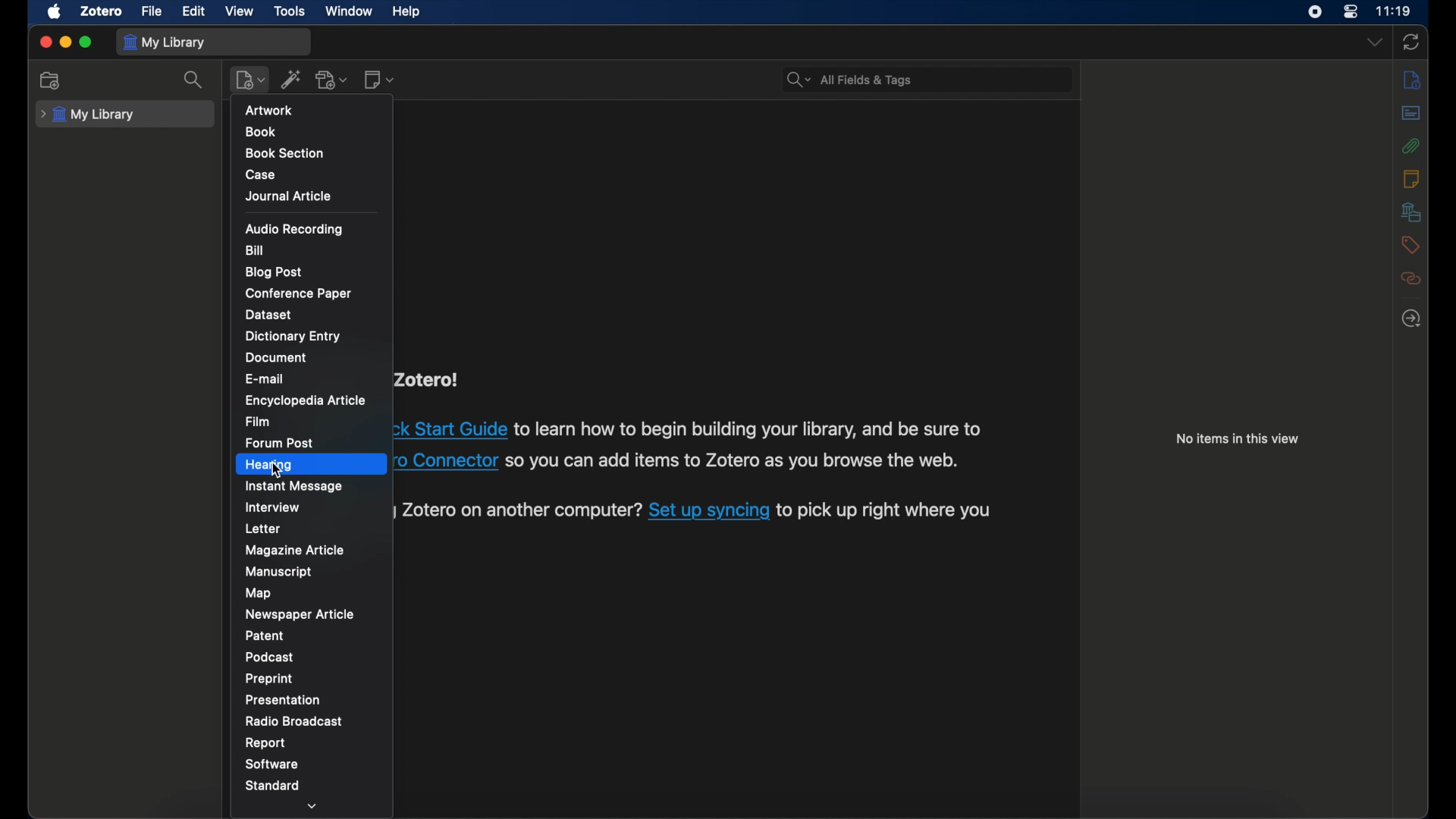 The width and height of the screenshot is (1456, 819). I want to click on hearing, so click(270, 464).